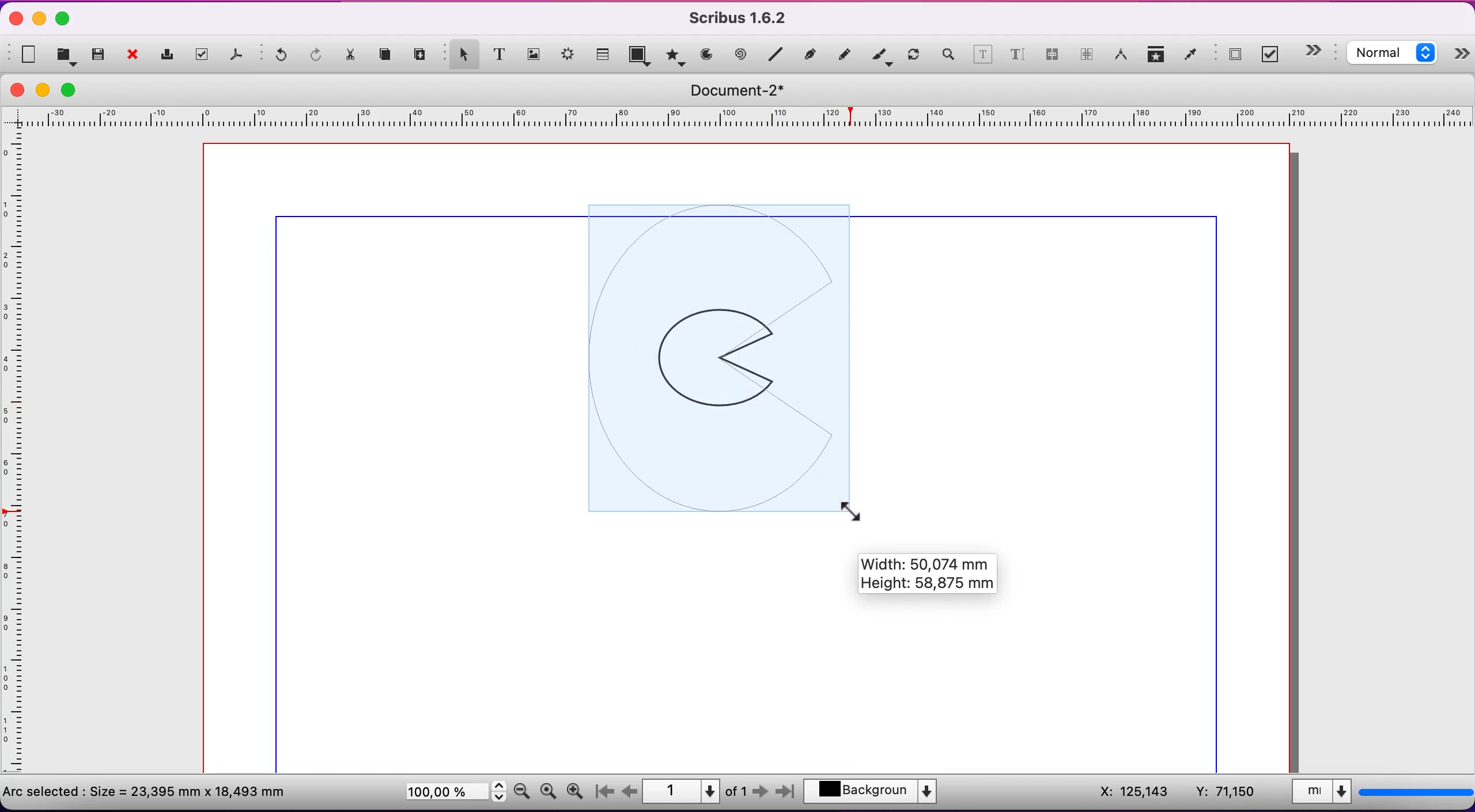 The width and height of the screenshot is (1475, 812). I want to click on table, so click(604, 52).